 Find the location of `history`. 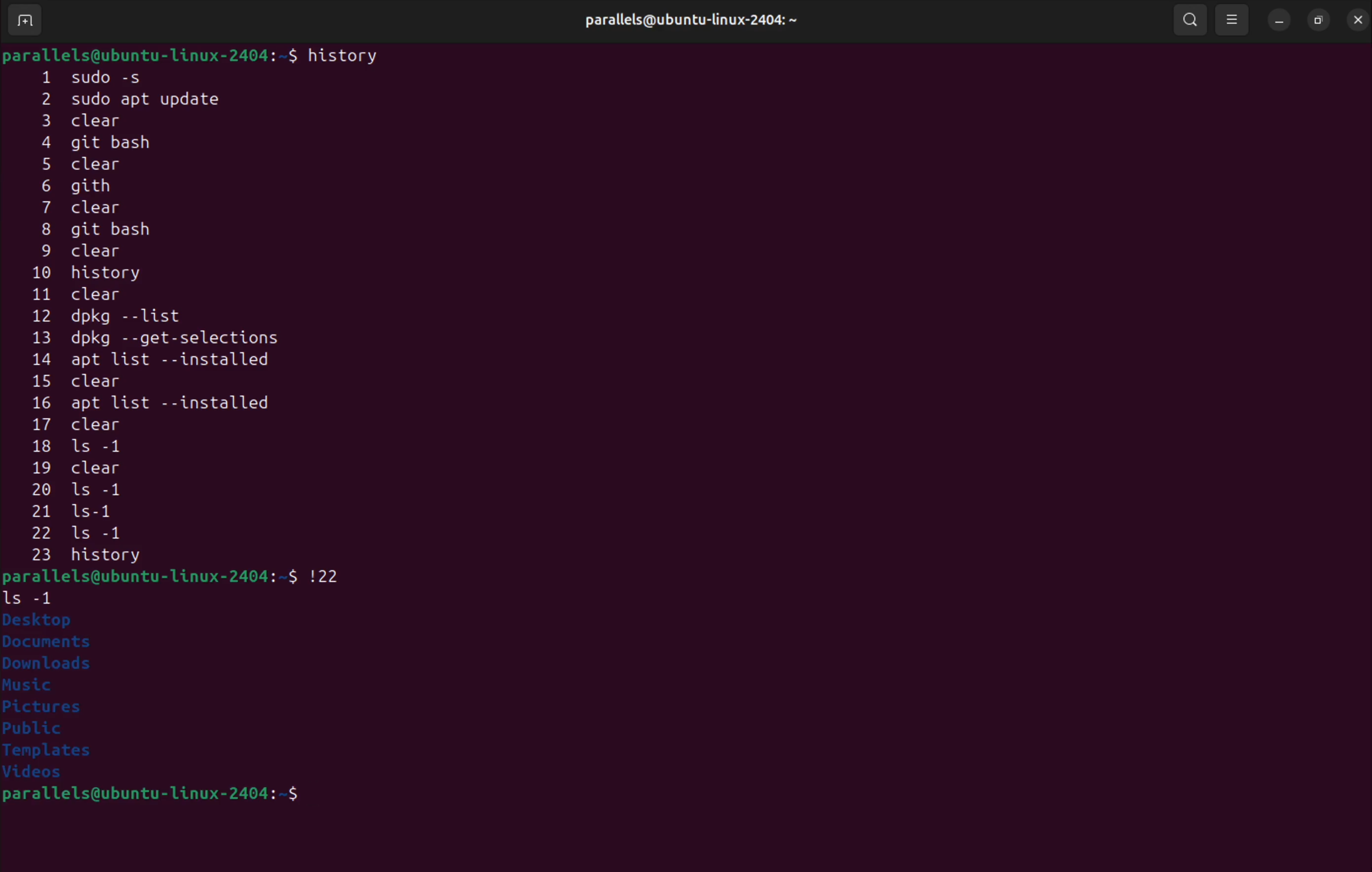

history is located at coordinates (347, 55).